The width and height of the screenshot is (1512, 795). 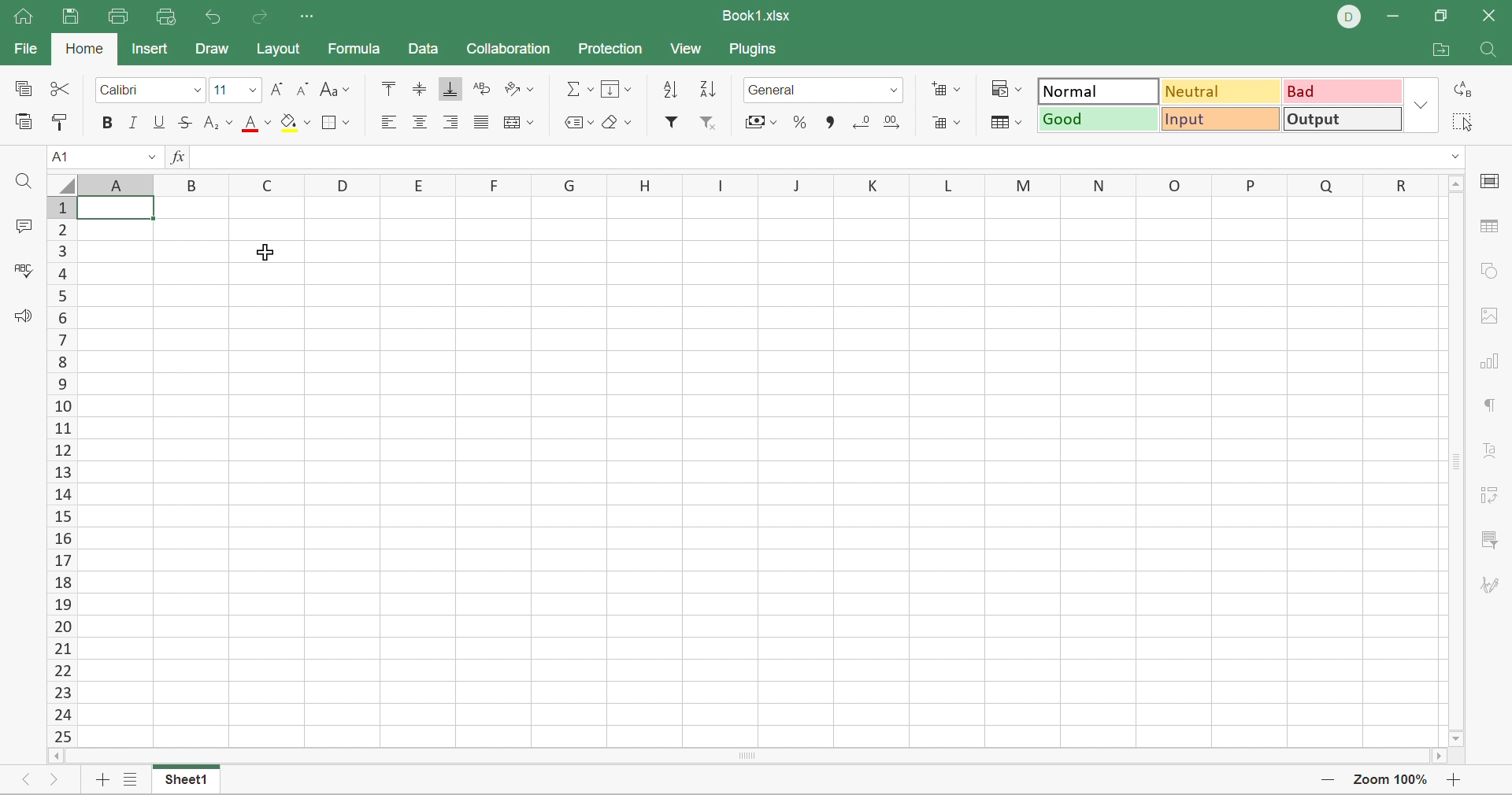 I want to click on Normal, so click(x=1098, y=90).